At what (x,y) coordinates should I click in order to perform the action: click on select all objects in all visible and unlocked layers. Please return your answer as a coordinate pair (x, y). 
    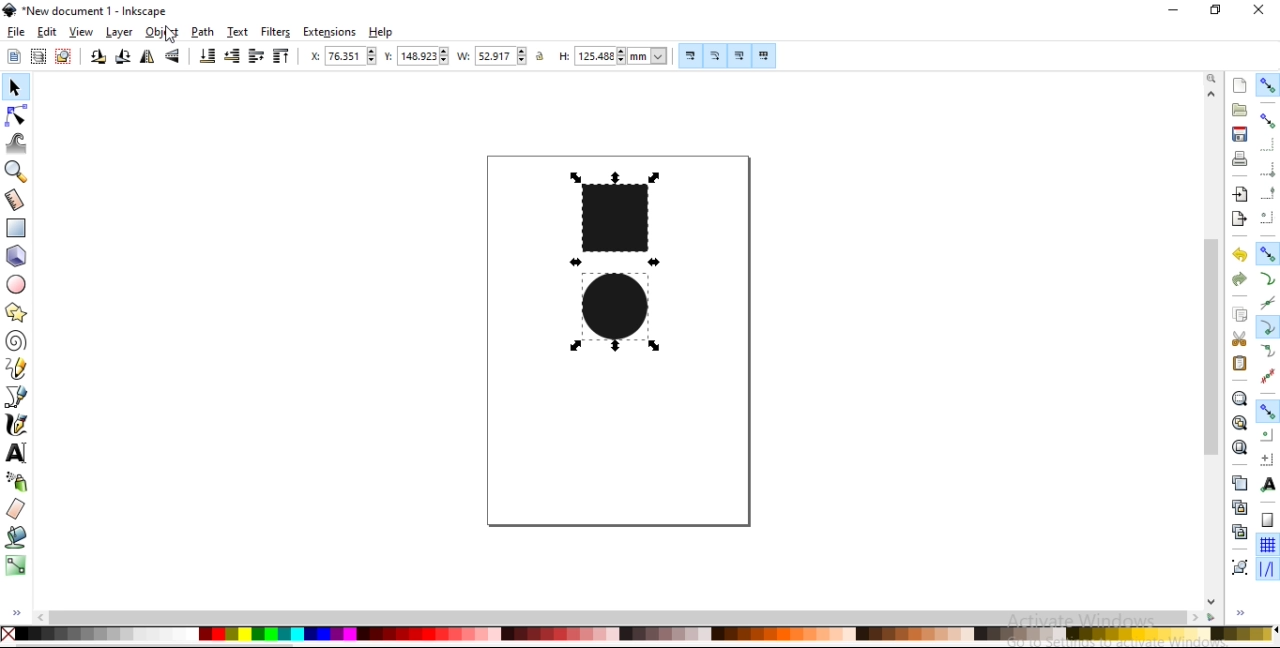
    Looking at the image, I should click on (37, 56).